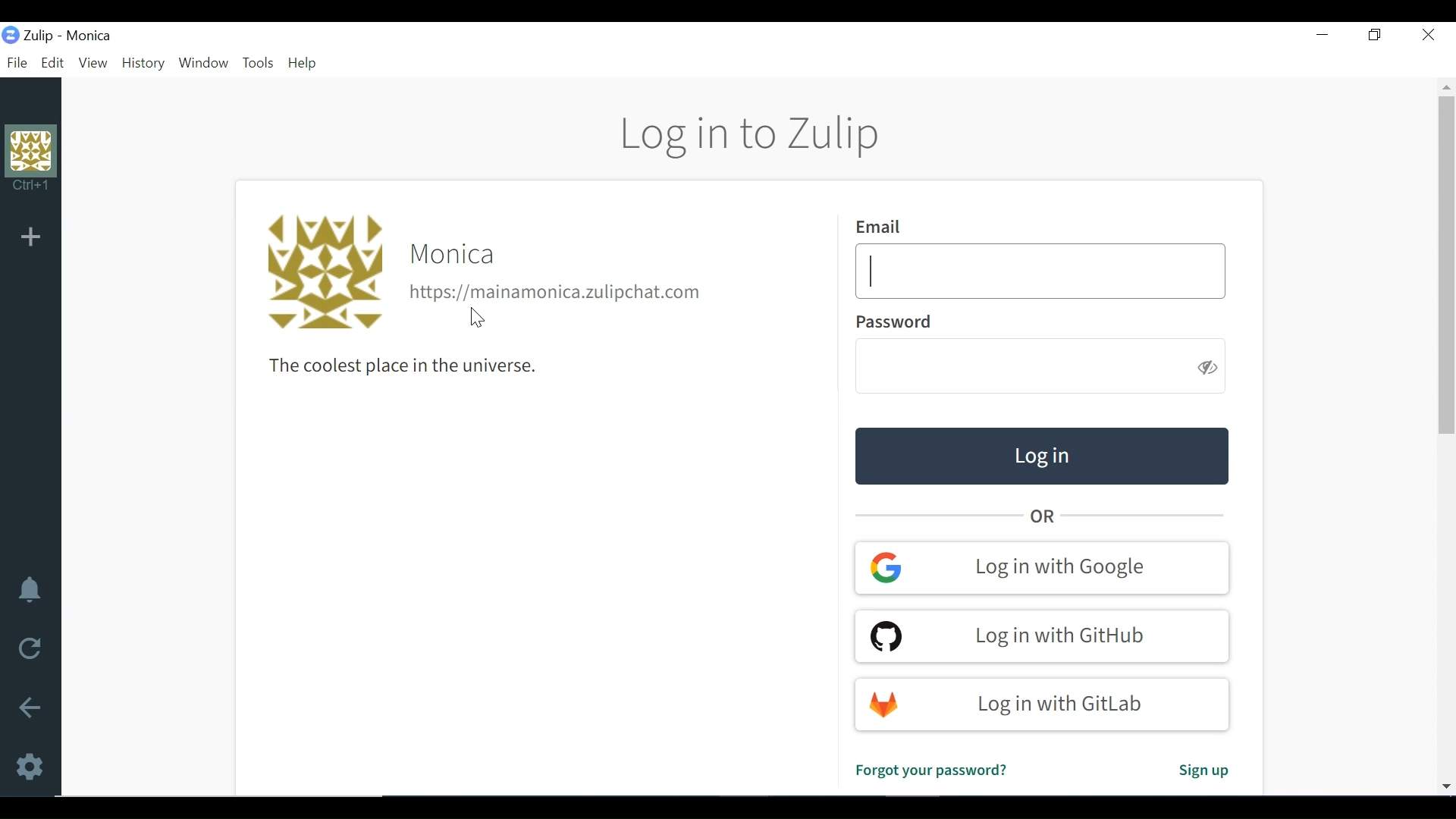  Describe the element at coordinates (893, 323) in the screenshot. I see `Password` at that location.